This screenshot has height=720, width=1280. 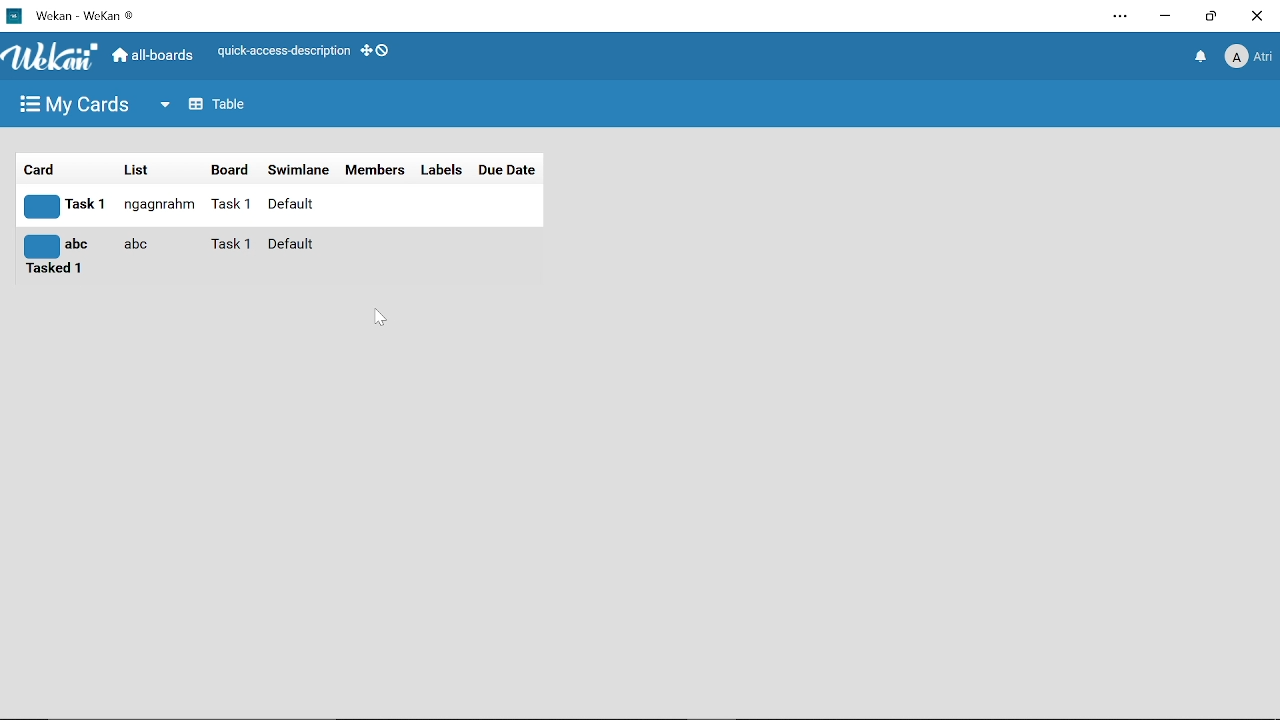 What do you see at coordinates (298, 170) in the screenshot?
I see `Swimlane` at bounding box center [298, 170].